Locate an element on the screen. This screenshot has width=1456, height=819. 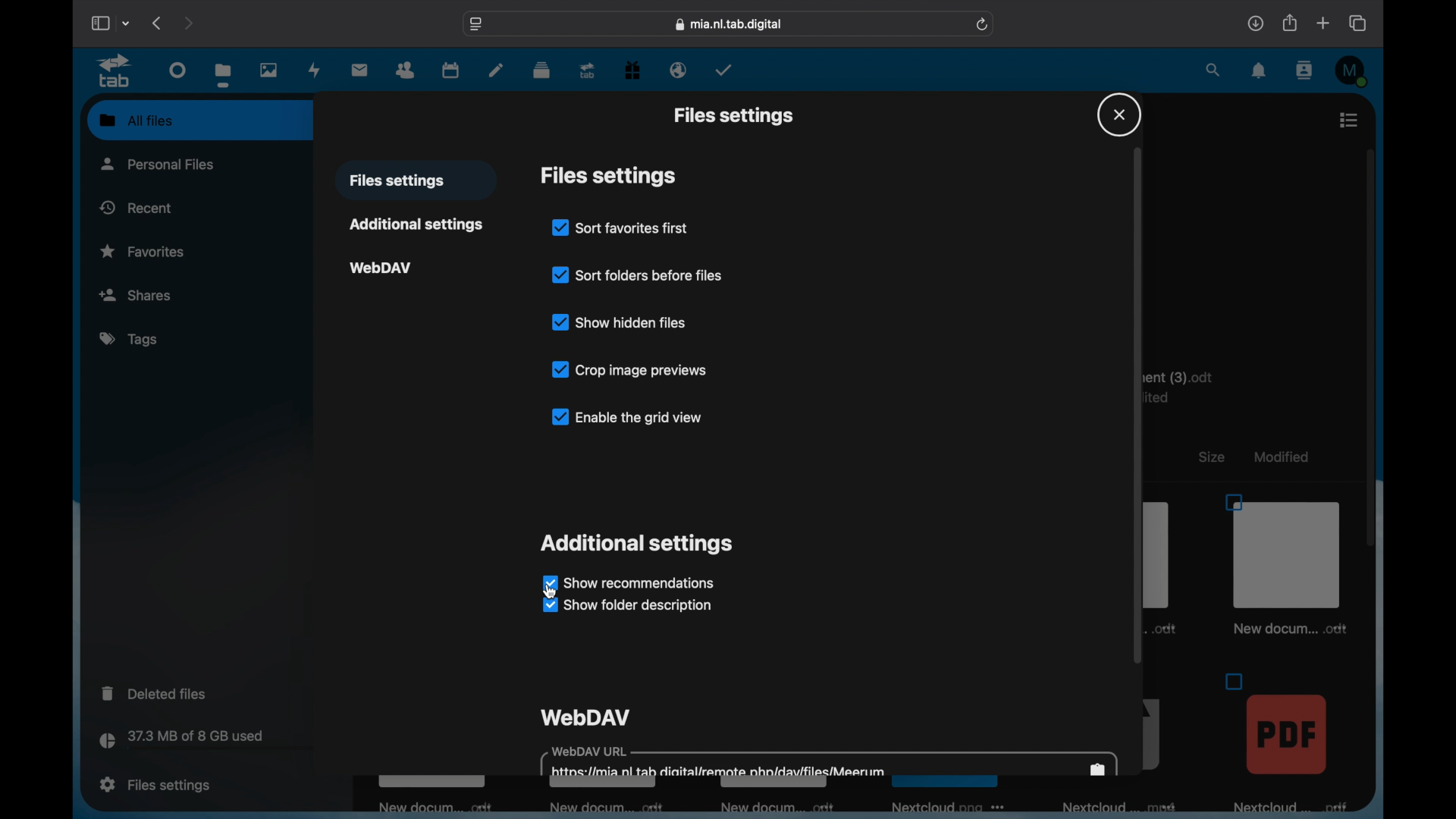
new document is located at coordinates (437, 808).